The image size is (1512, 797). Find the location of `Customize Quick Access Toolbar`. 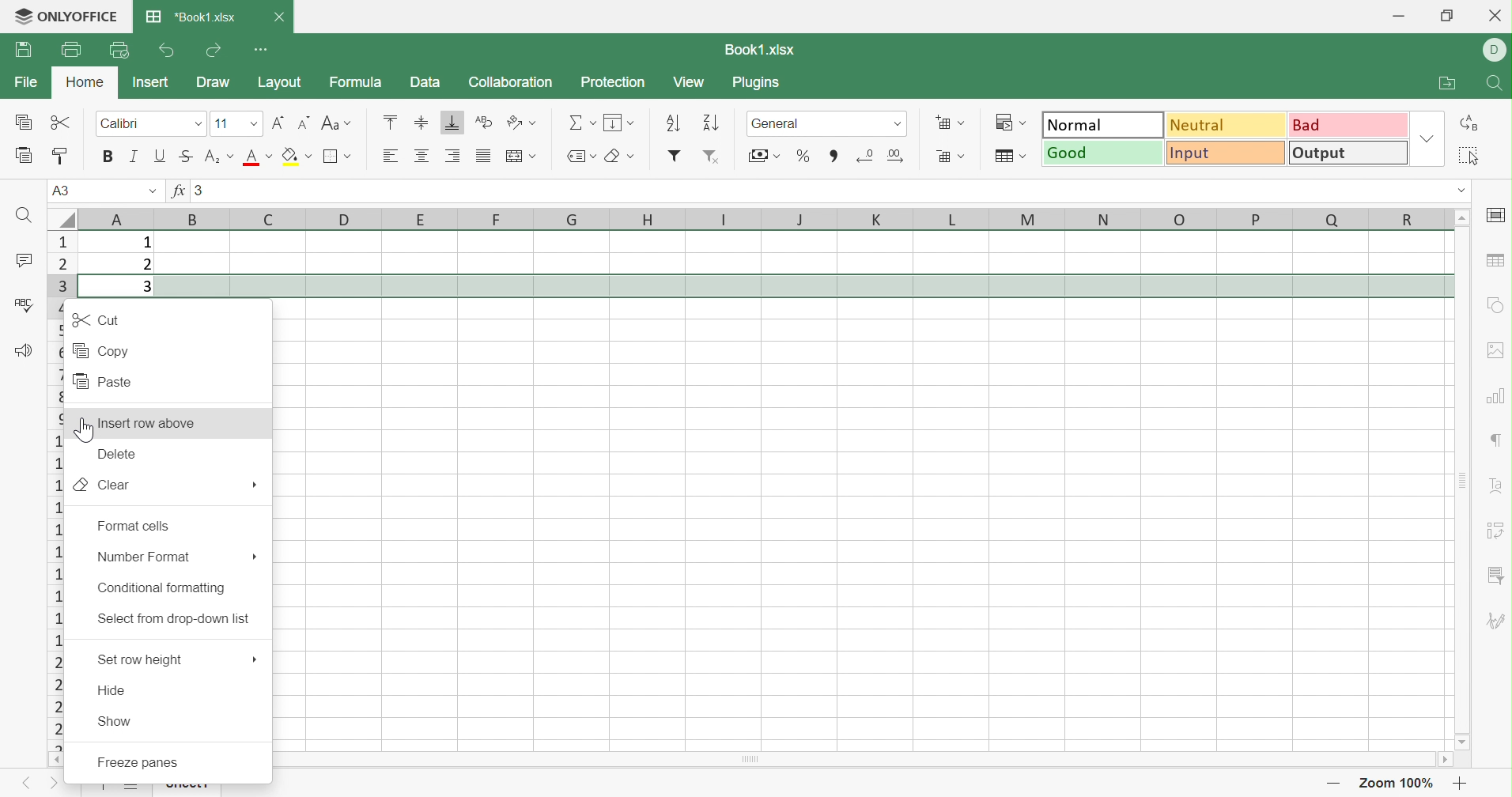

Customize Quick Access Toolbar is located at coordinates (262, 50).